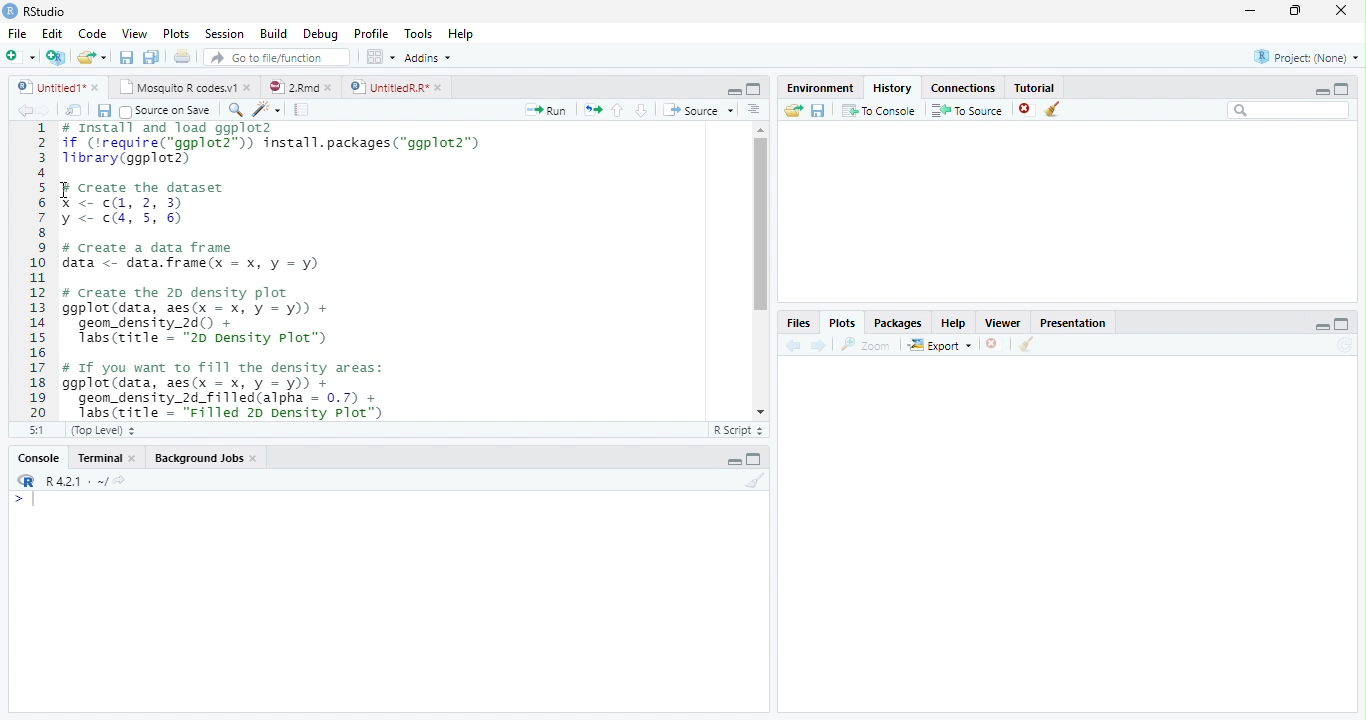  What do you see at coordinates (427, 57) in the screenshot?
I see `Addins` at bounding box center [427, 57].